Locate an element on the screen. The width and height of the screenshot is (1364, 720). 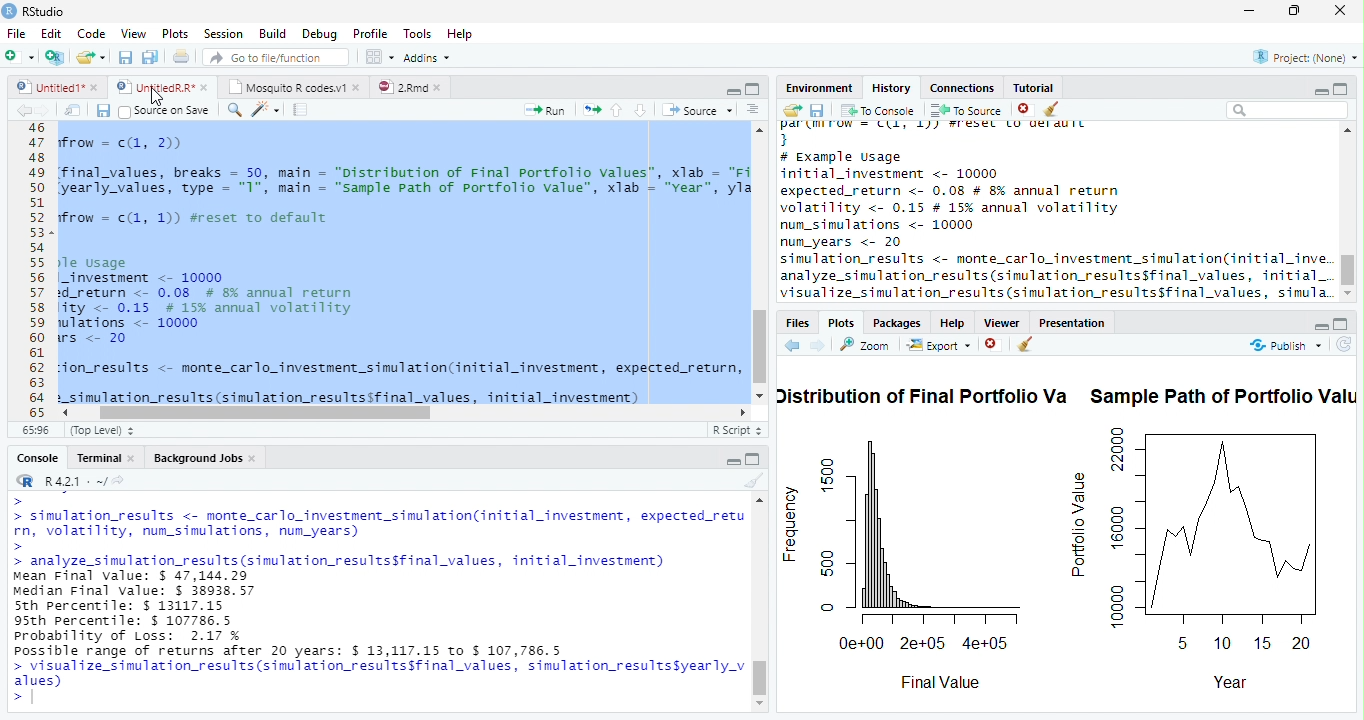
Go to previous section of code is located at coordinates (617, 112).